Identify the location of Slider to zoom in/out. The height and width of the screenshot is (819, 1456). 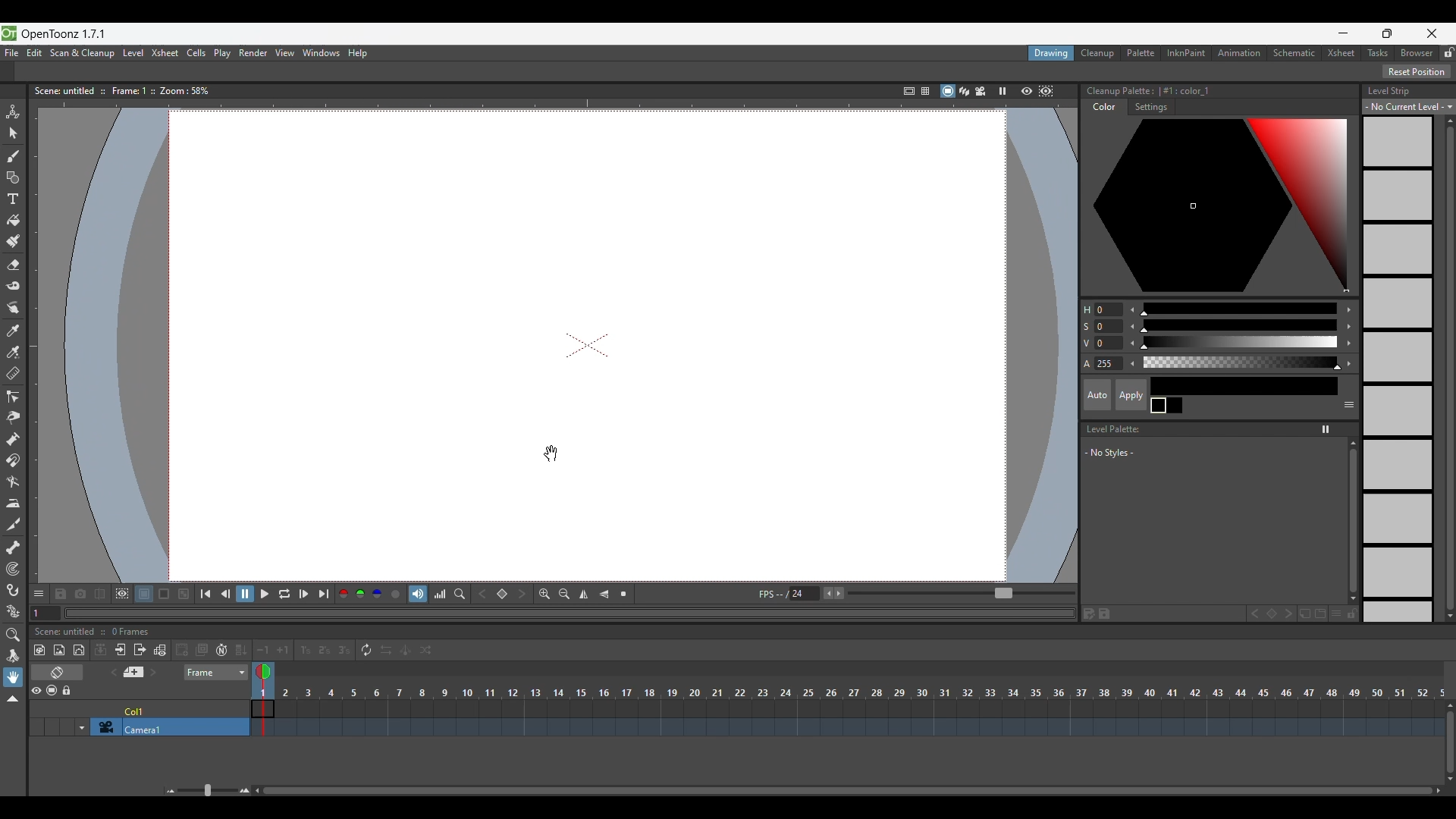
(207, 791).